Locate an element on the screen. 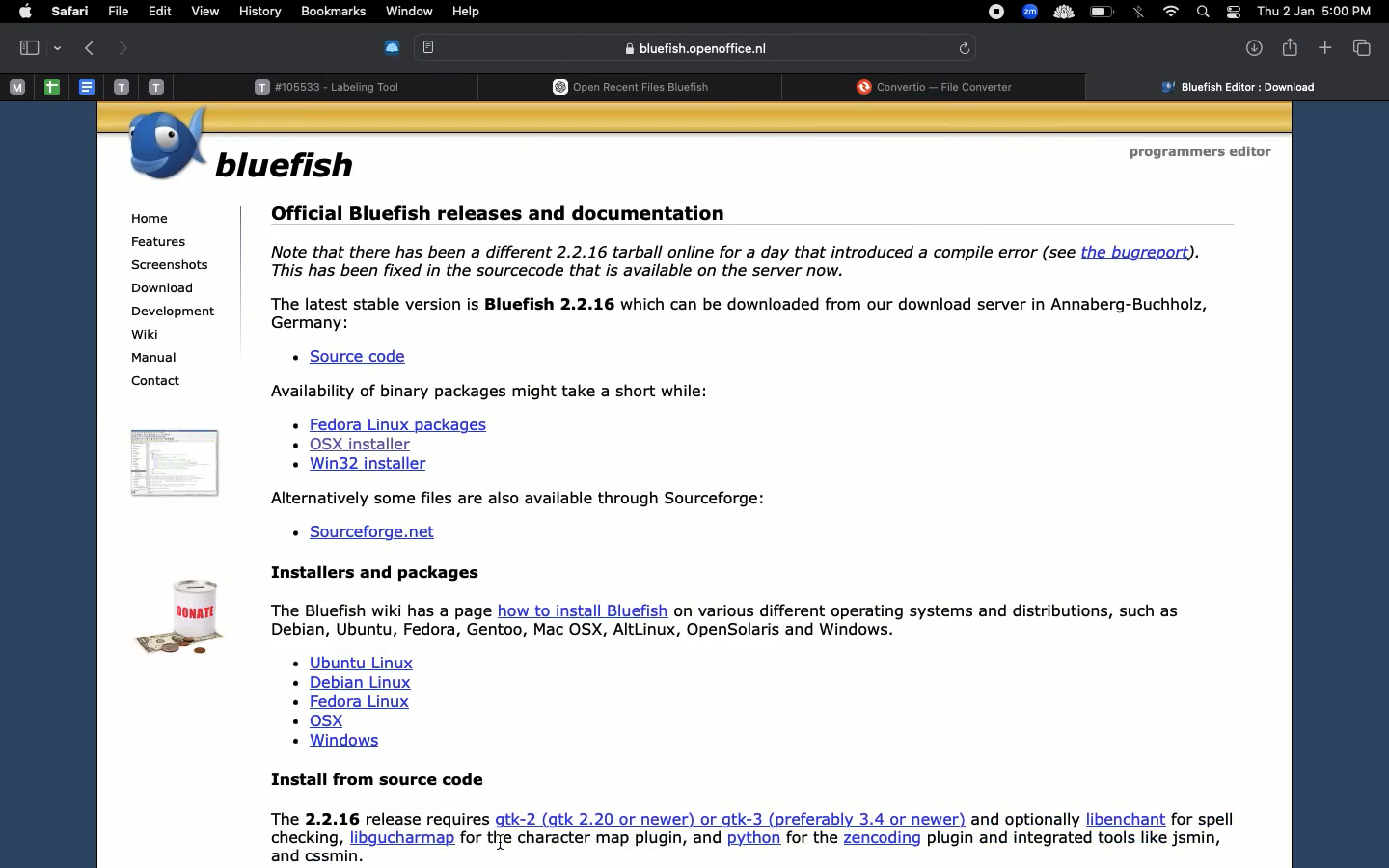  bluefish is located at coordinates (73, 12).